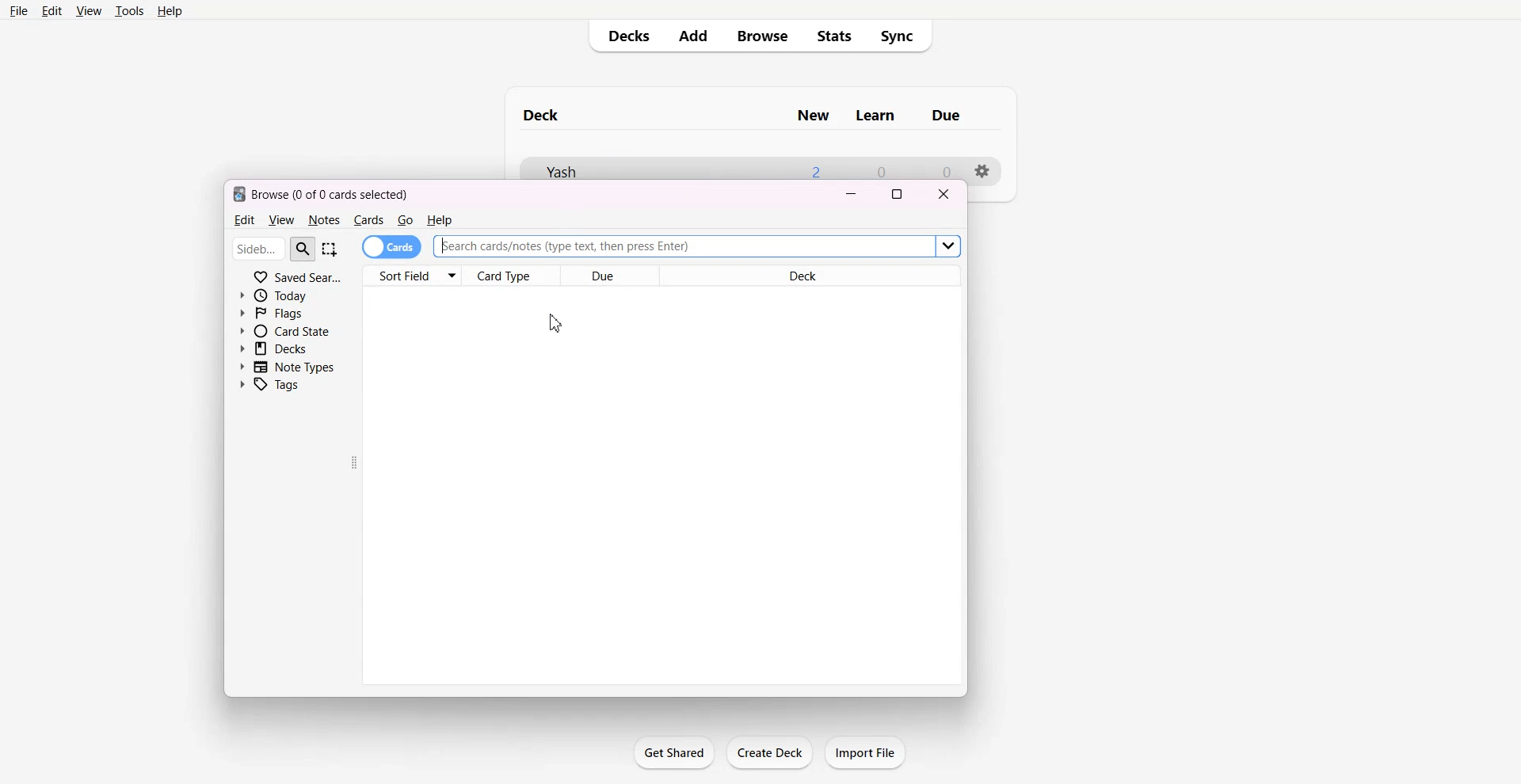 The height and width of the screenshot is (784, 1521). Describe the element at coordinates (865, 752) in the screenshot. I see `Import File` at that location.